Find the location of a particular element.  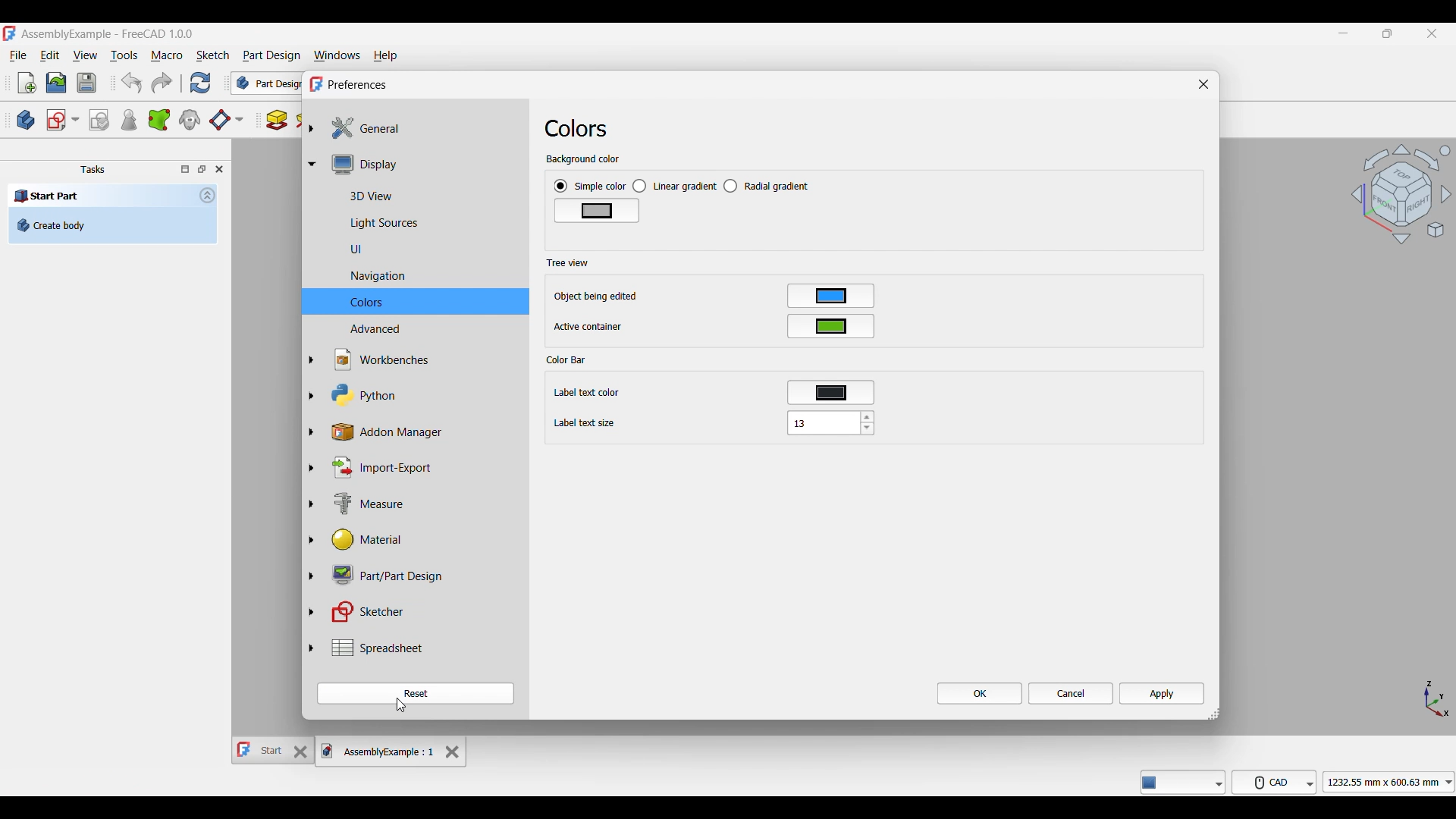

Open is located at coordinates (56, 83).